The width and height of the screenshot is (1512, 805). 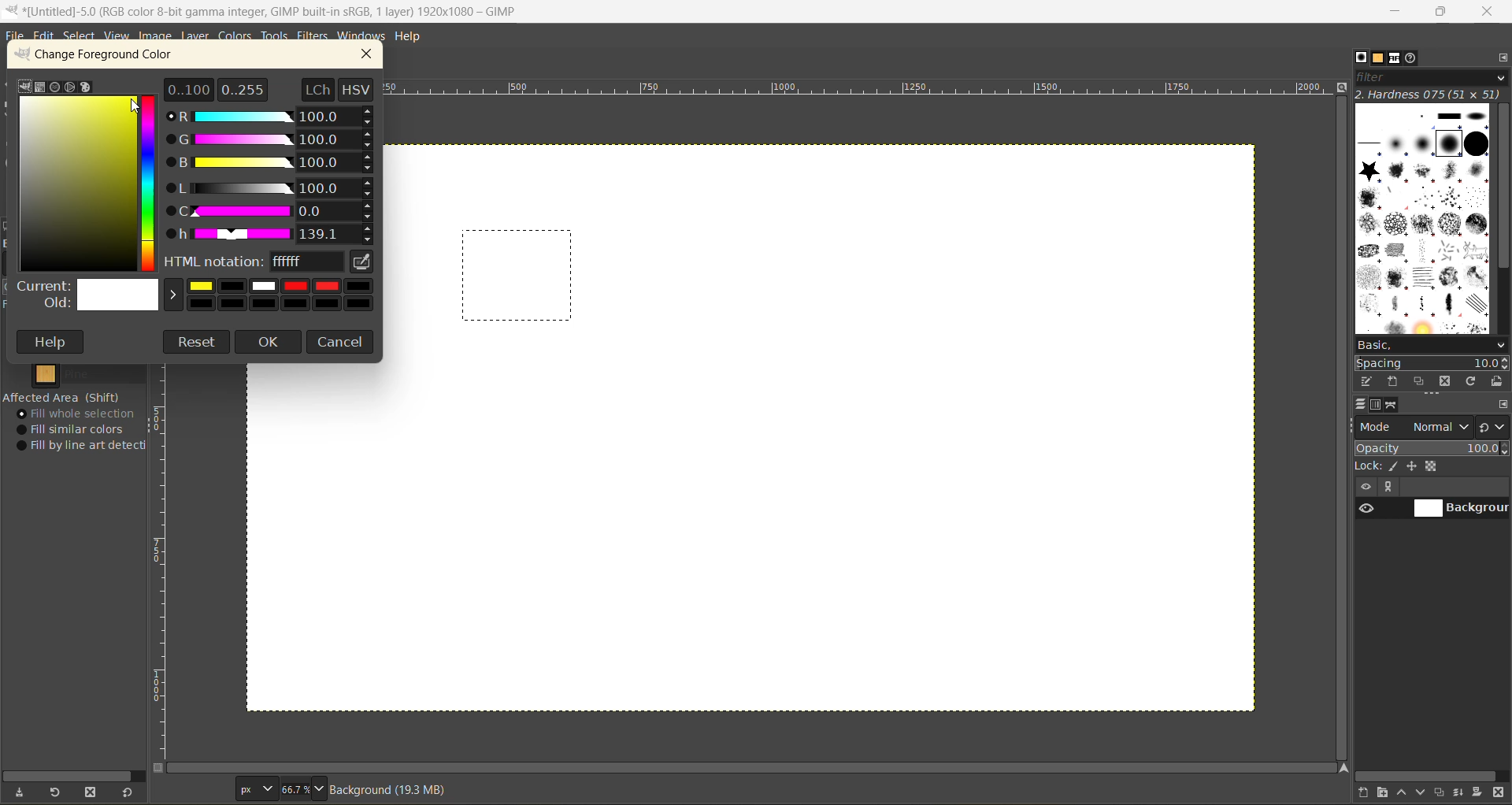 I want to click on restore tool preset, so click(x=57, y=793).